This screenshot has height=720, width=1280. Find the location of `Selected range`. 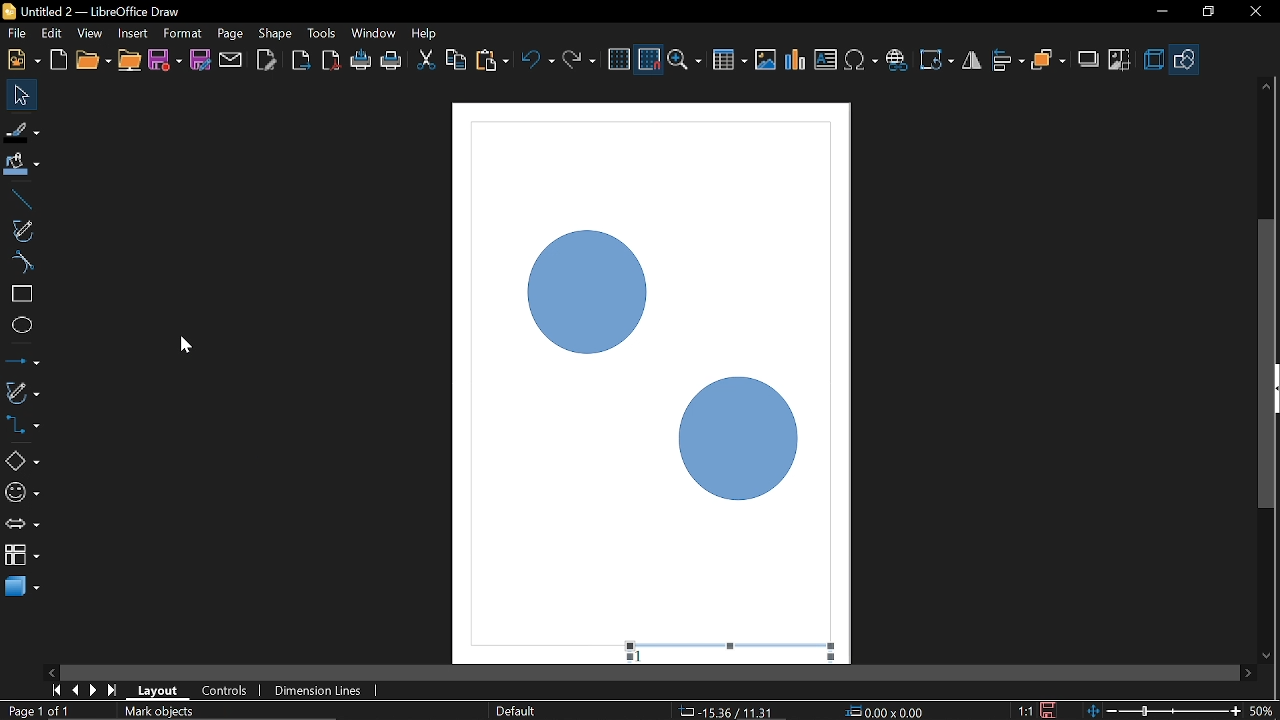

Selected range is located at coordinates (757, 650).